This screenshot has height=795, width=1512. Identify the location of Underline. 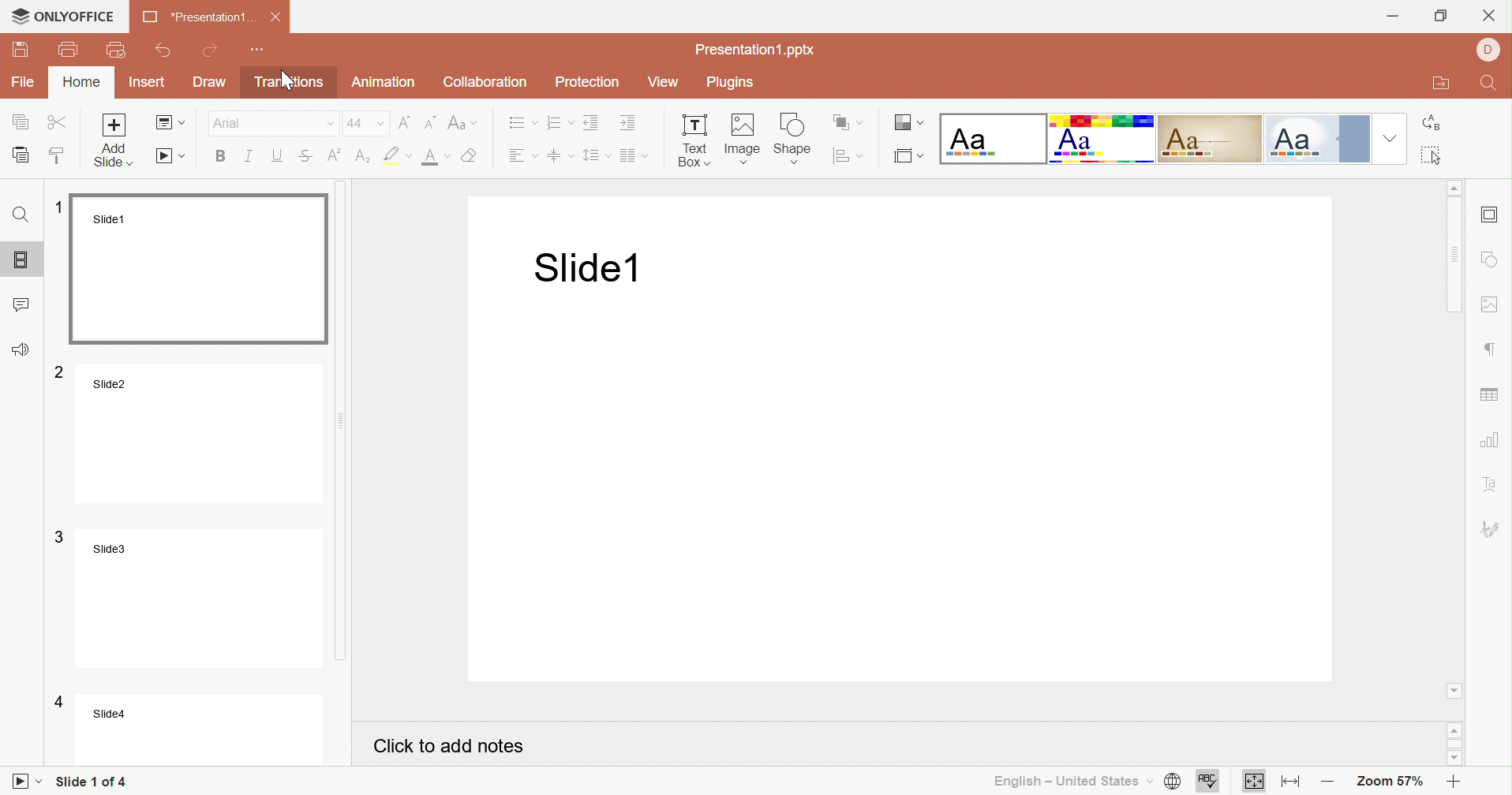
(282, 155).